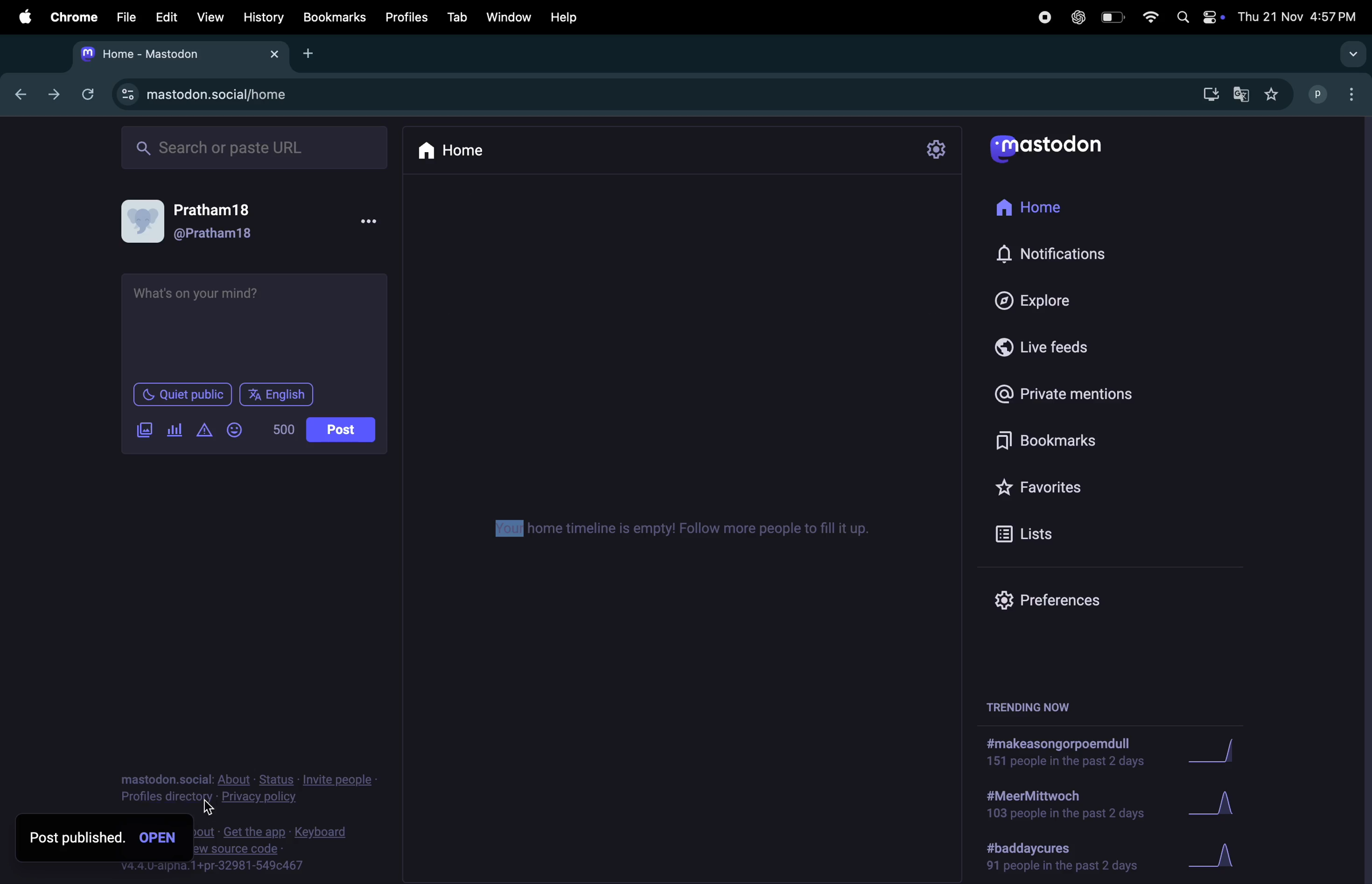 The image size is (1372, 884). What do you see at coordinates (1148, 19) in the screenshot?
I see `wifi` at bounding box center [1148, 19].